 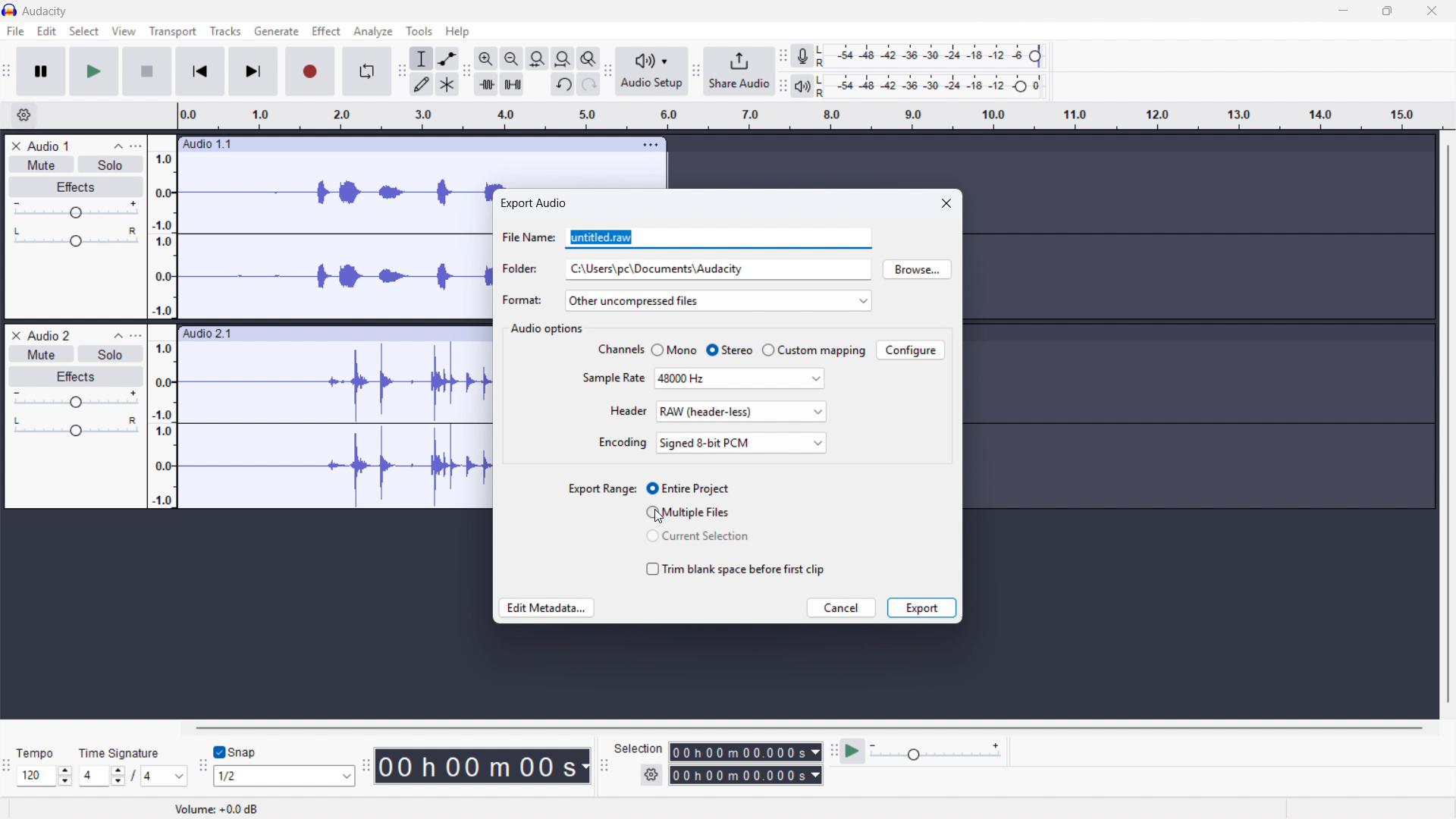 What do you see at coordinates (783, 86) in the screenshot?
I see `playback metre tool bar` at bounding box center [783, 86].